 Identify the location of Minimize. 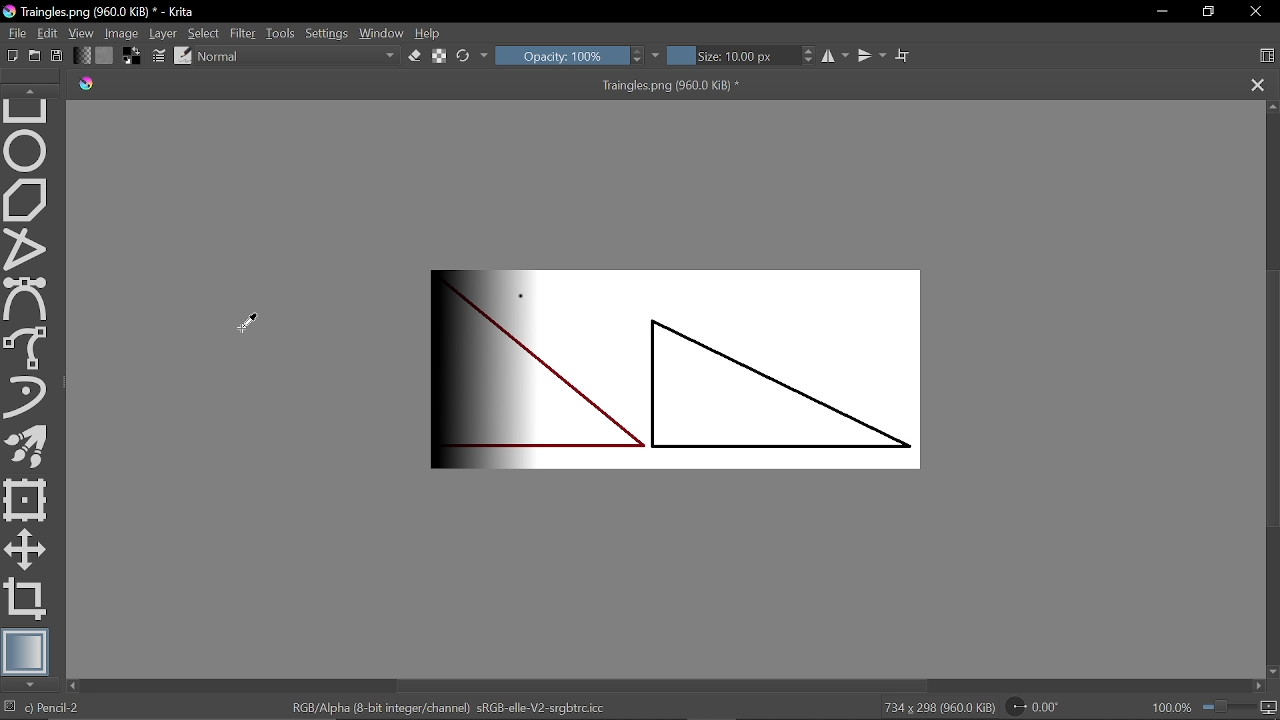
(1162, 13).